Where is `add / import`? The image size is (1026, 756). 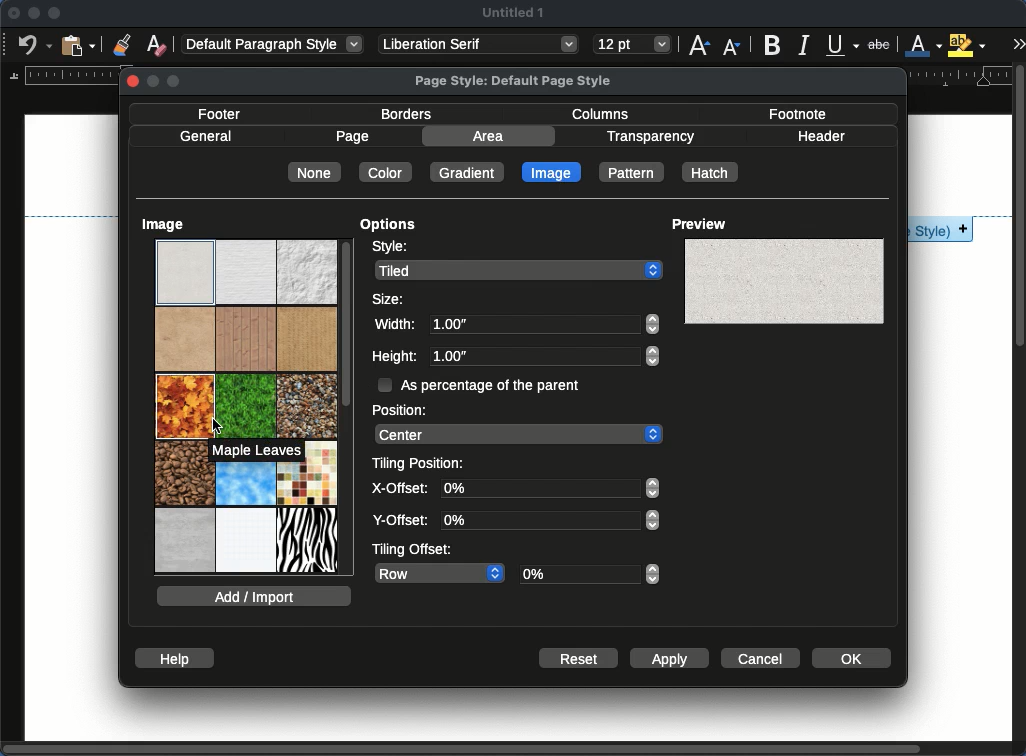 add / import is located at coordinates (255, 597).